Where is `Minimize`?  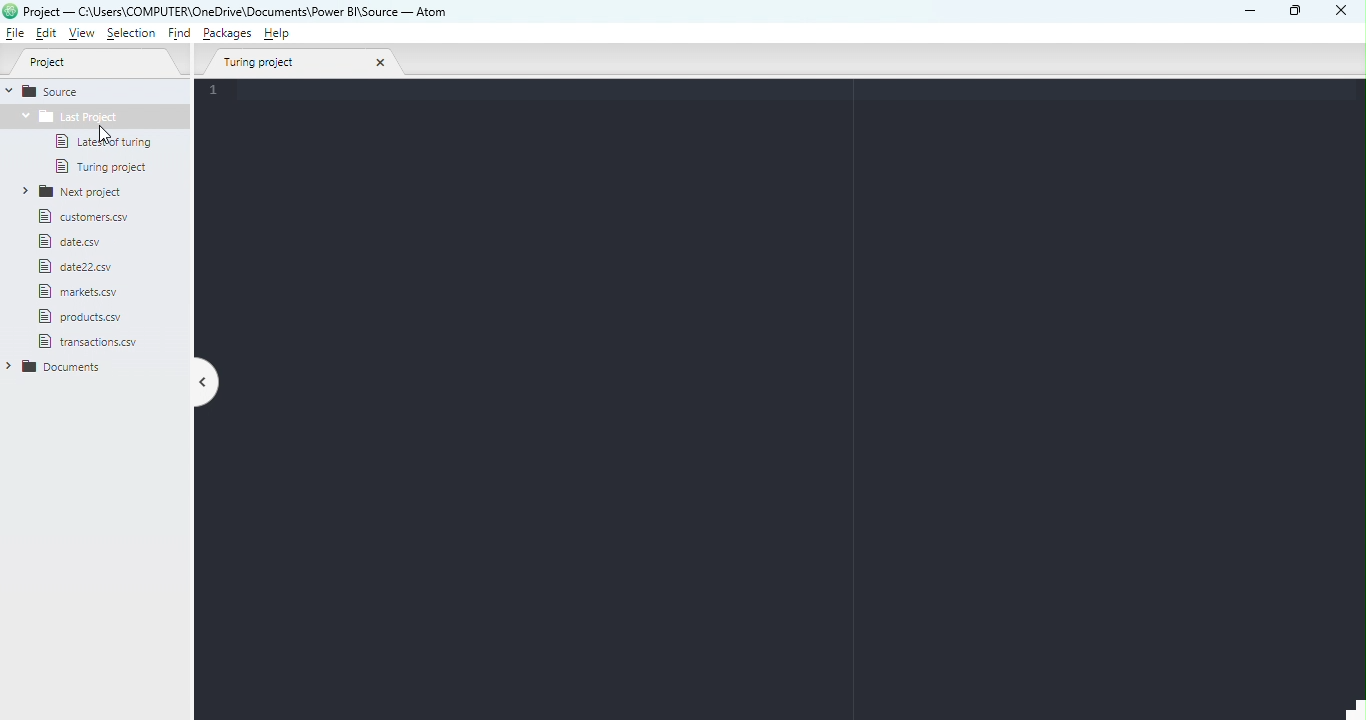
Minimize is located at coordinates (1251, 12).